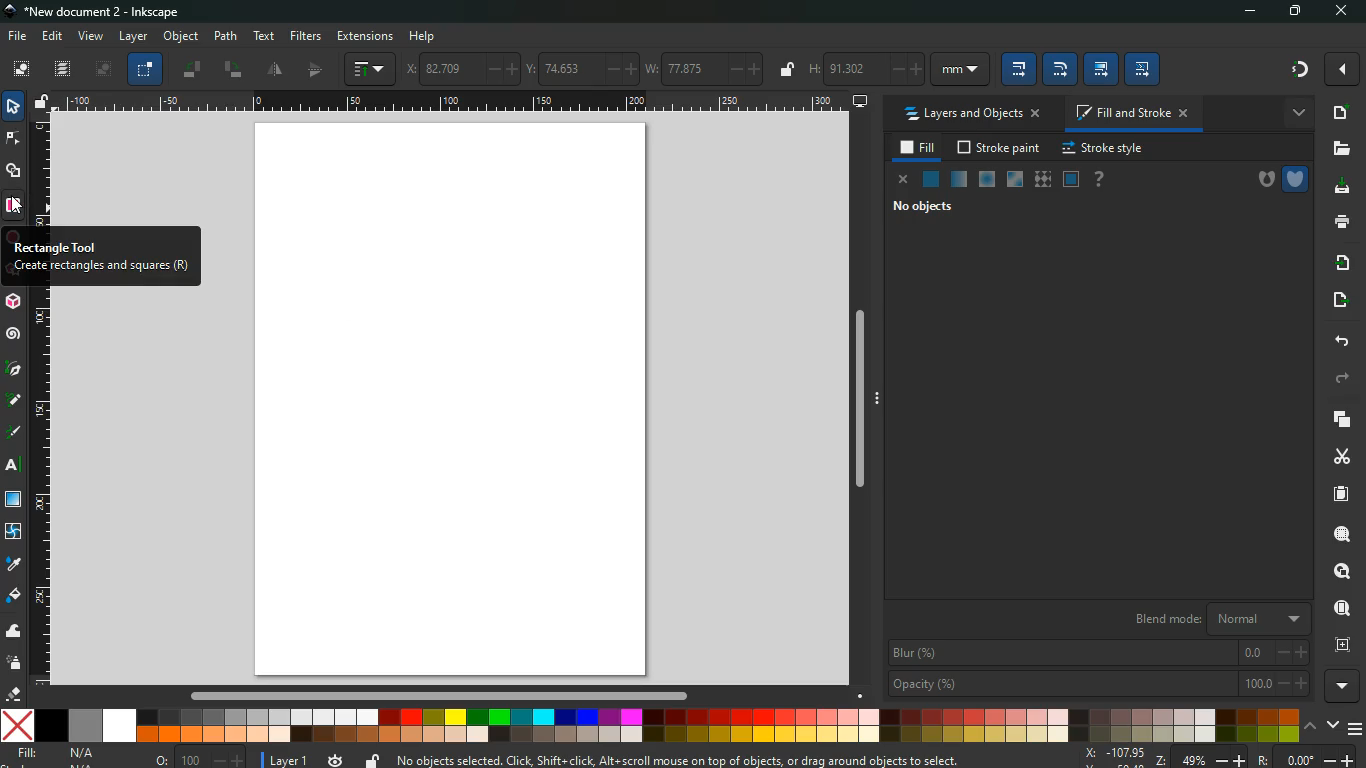 This screenshot has width=1366, height=768. Describe the element at coordinates (1341, 686) in the screenshot. I see `more` at that location.